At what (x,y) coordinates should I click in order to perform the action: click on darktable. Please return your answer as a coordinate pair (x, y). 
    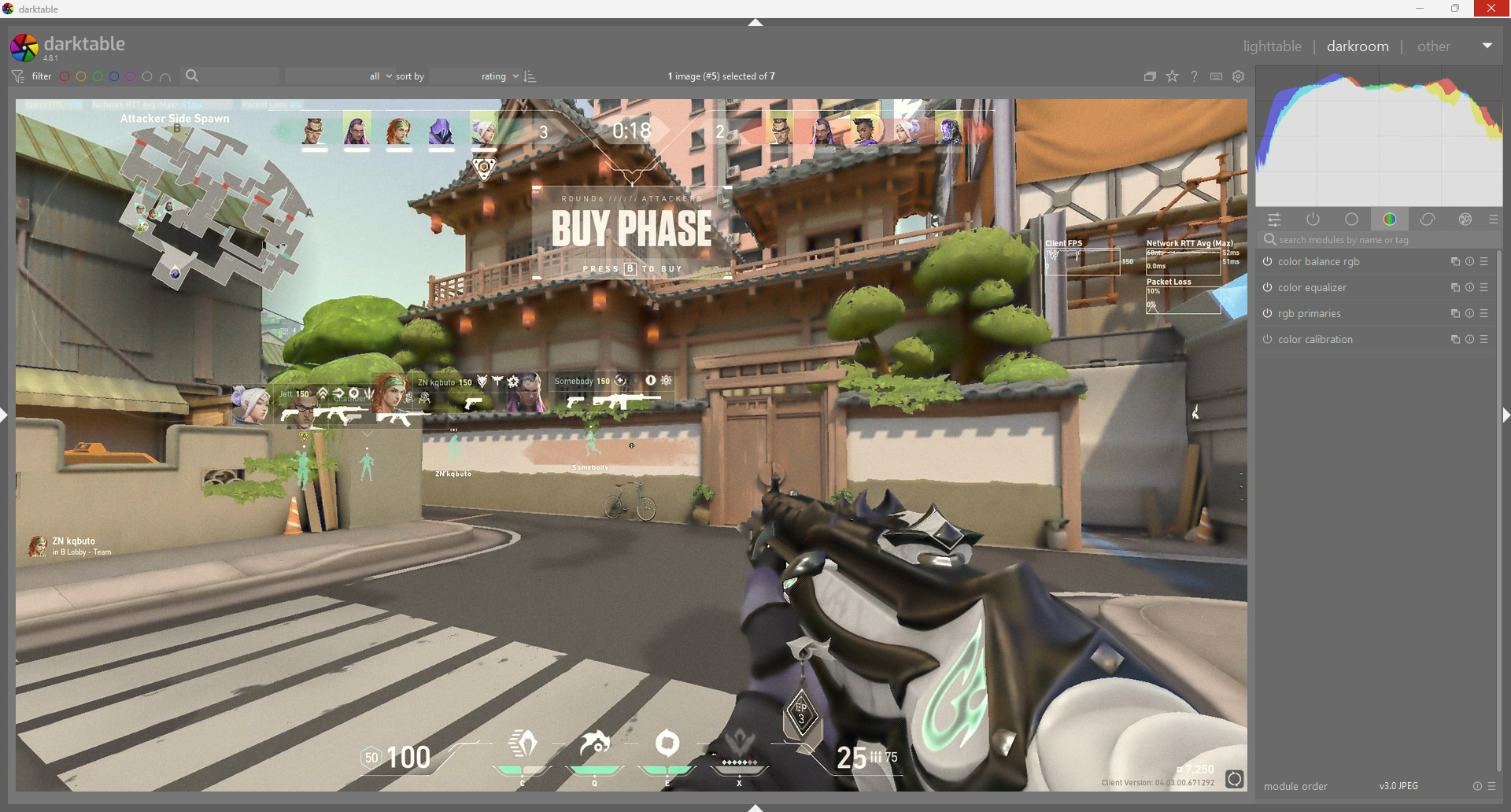
    Looking at the image, I should click on (79, 47).